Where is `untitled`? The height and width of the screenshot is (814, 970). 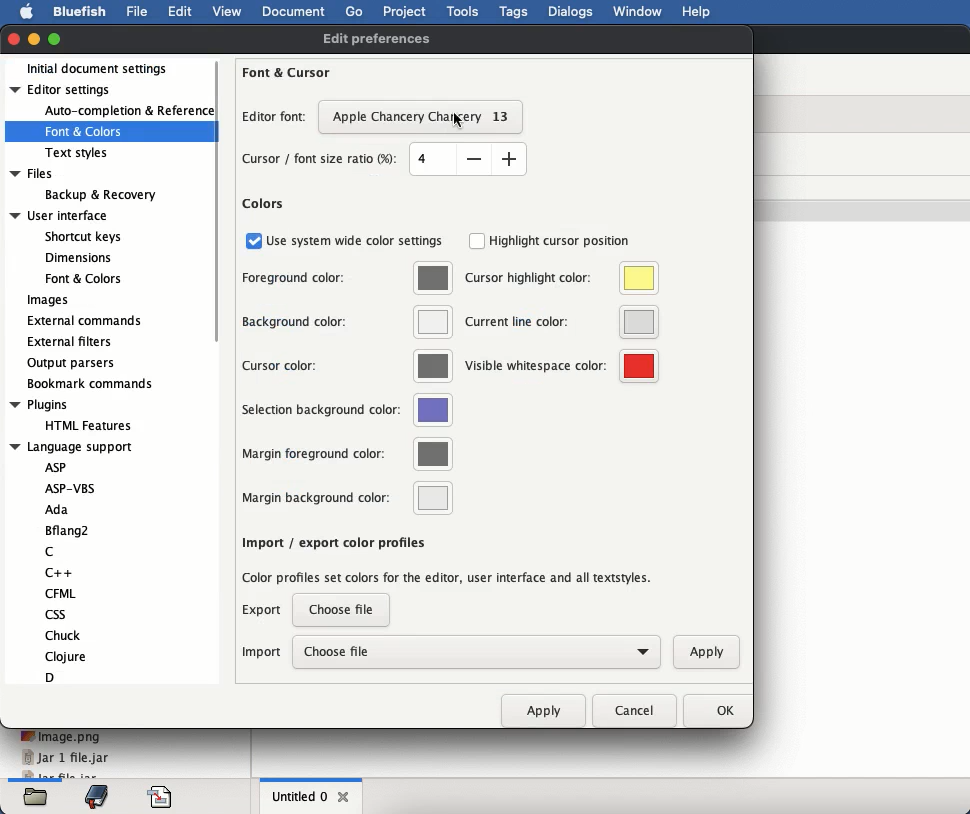
untitled is located at coordinates (299, 795).